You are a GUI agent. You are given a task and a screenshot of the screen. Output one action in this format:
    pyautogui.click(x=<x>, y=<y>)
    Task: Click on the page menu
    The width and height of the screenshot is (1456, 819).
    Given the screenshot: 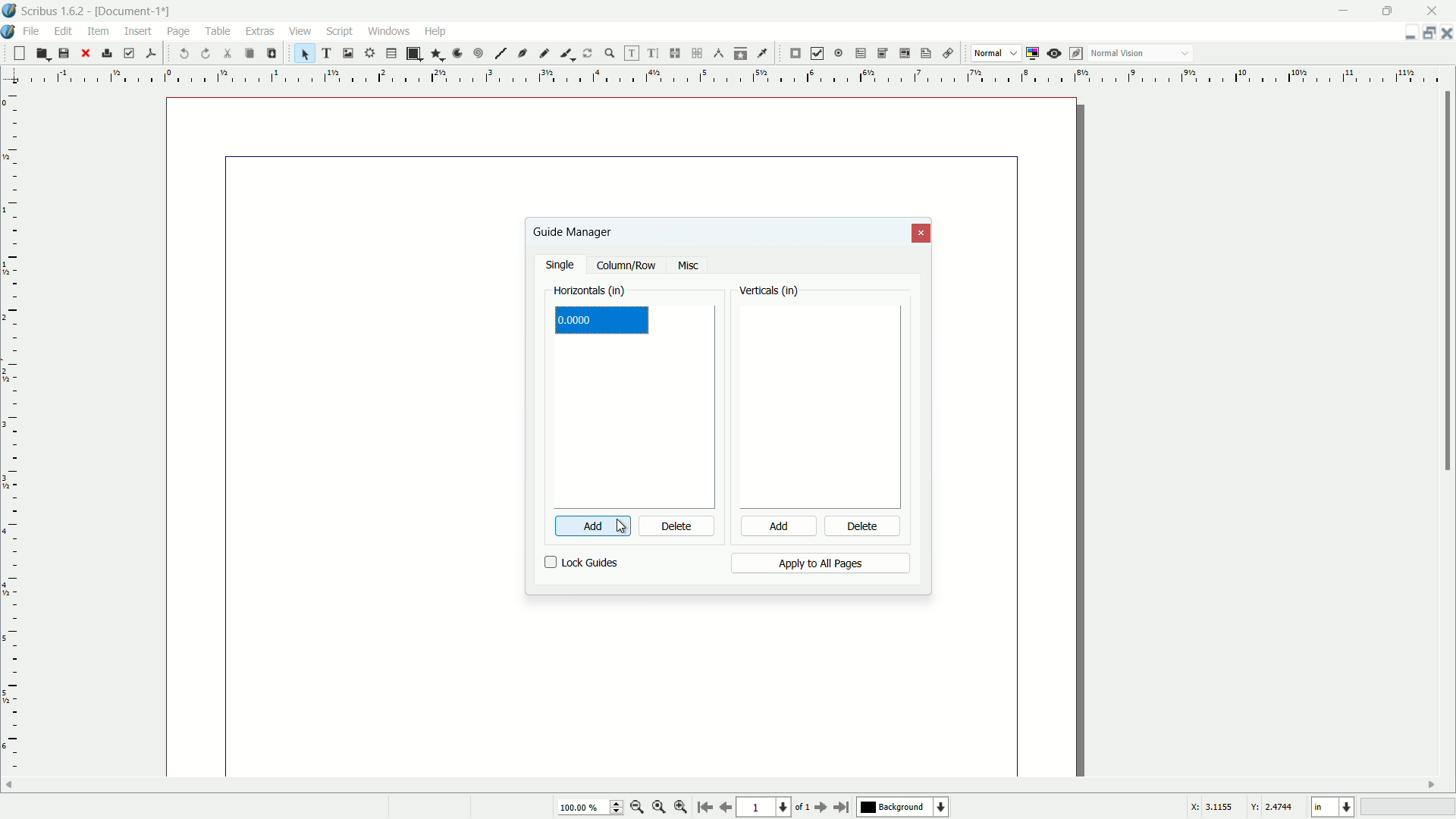 What is the action you would take?
    pyautogui.click(x=178, y=29)
    